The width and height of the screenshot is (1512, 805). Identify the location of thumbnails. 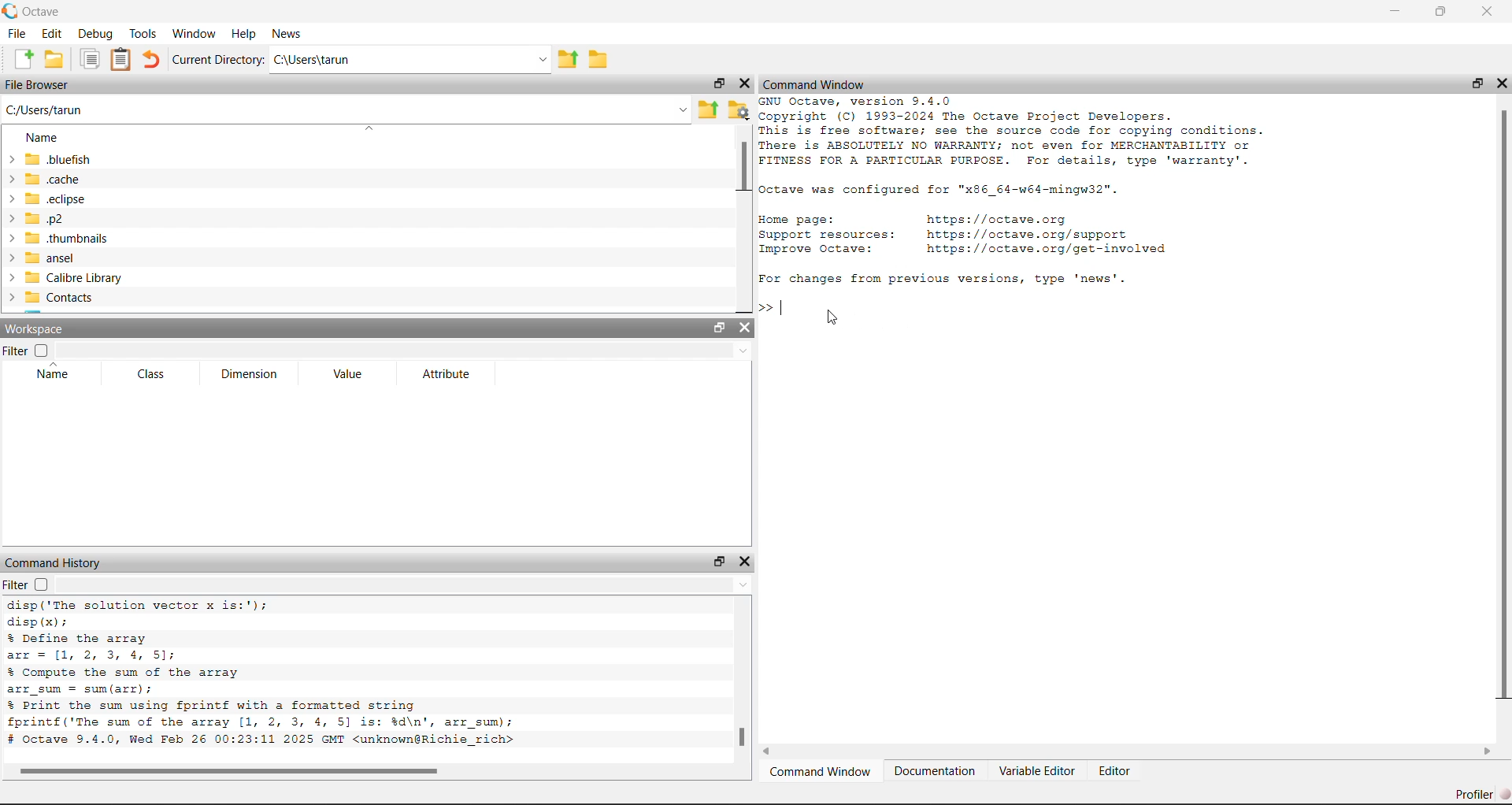
(58, 239).